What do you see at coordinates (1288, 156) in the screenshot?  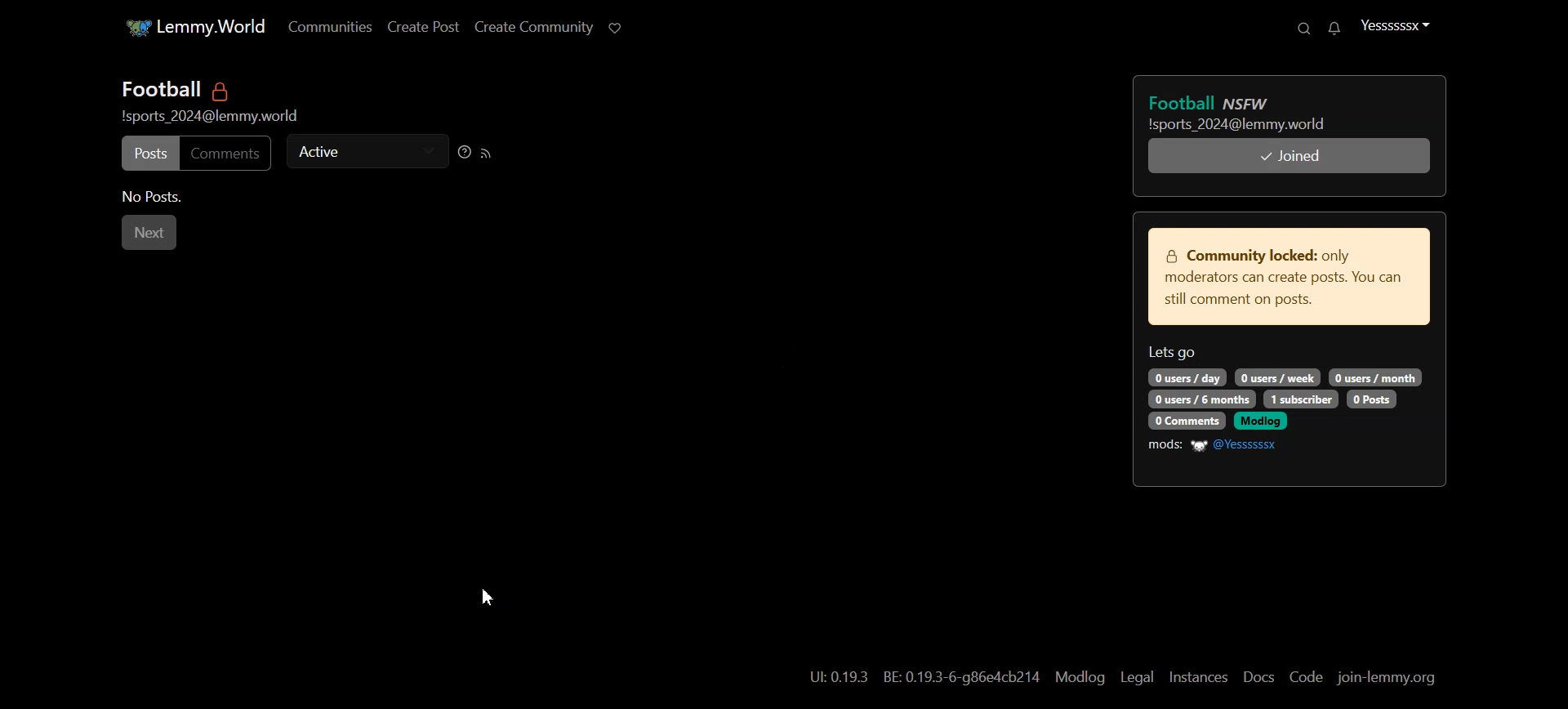 I see `Joined` at bounding box center [1288, 156].